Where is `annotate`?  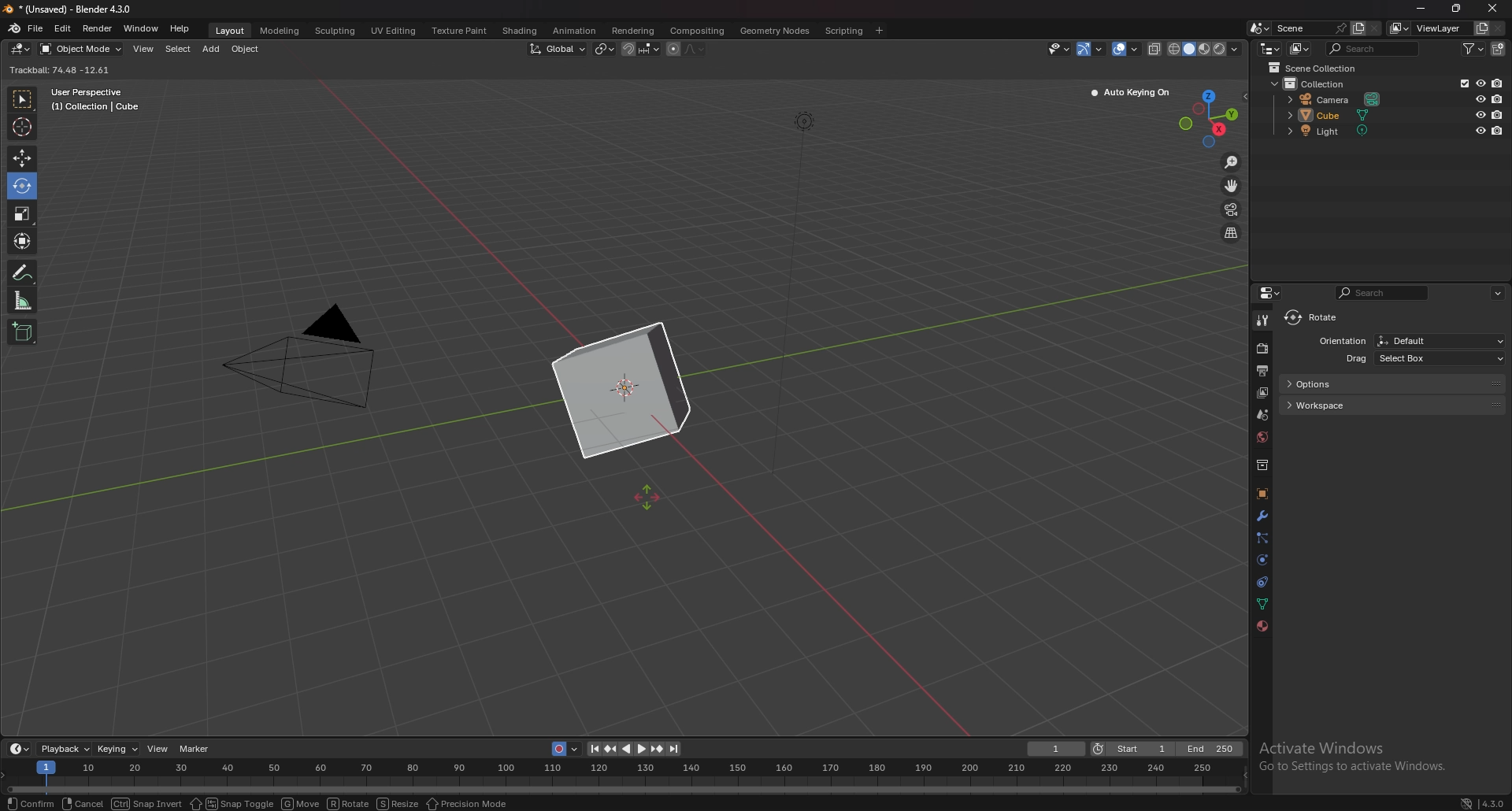
annotate is located at coordinates (24, 272).